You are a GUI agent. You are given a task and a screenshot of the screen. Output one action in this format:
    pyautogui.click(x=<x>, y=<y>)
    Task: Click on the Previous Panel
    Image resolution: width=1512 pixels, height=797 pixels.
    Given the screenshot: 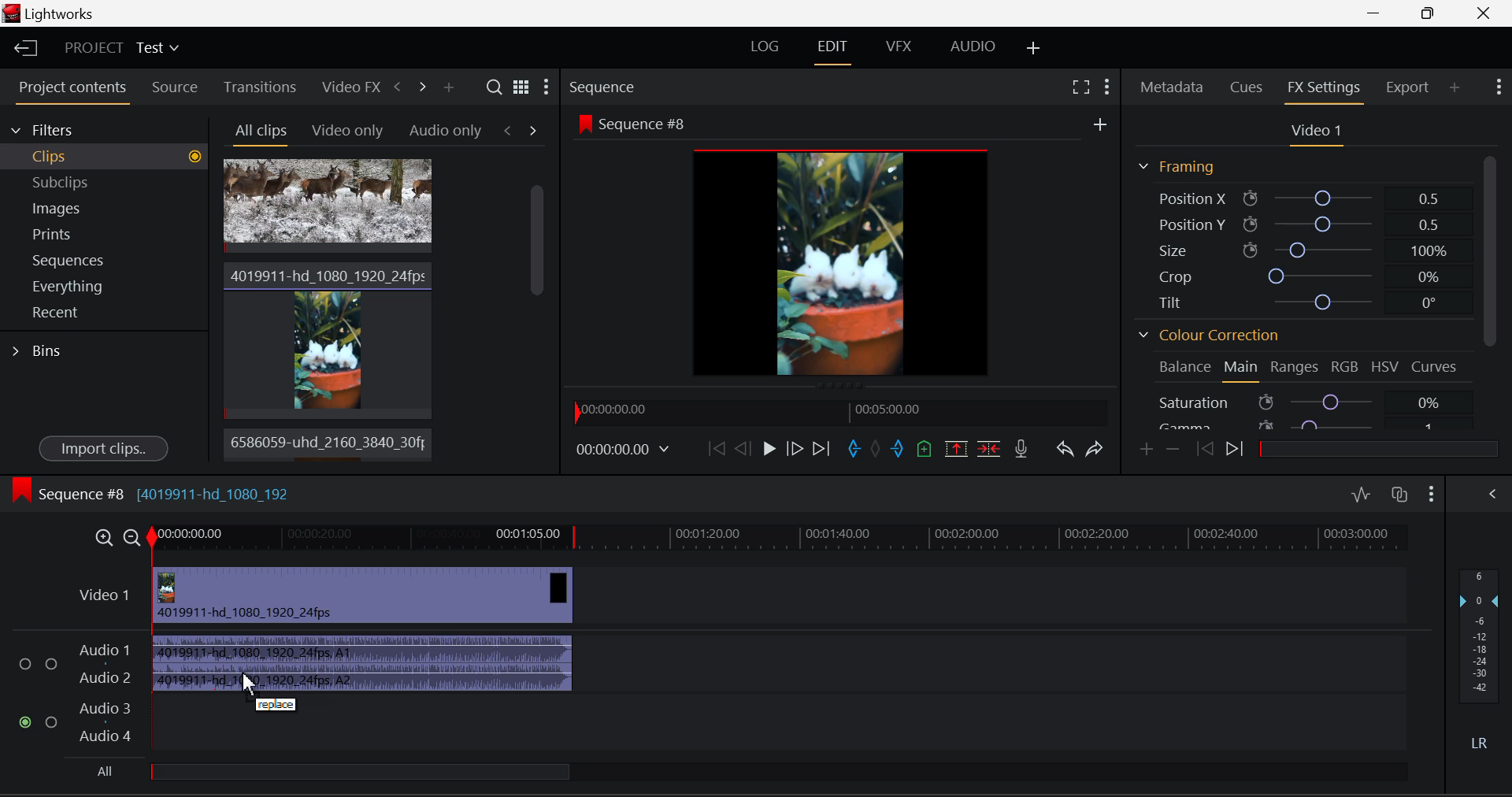 What is the action you would take?
    pyautogui.click(x=397, y=89)
    